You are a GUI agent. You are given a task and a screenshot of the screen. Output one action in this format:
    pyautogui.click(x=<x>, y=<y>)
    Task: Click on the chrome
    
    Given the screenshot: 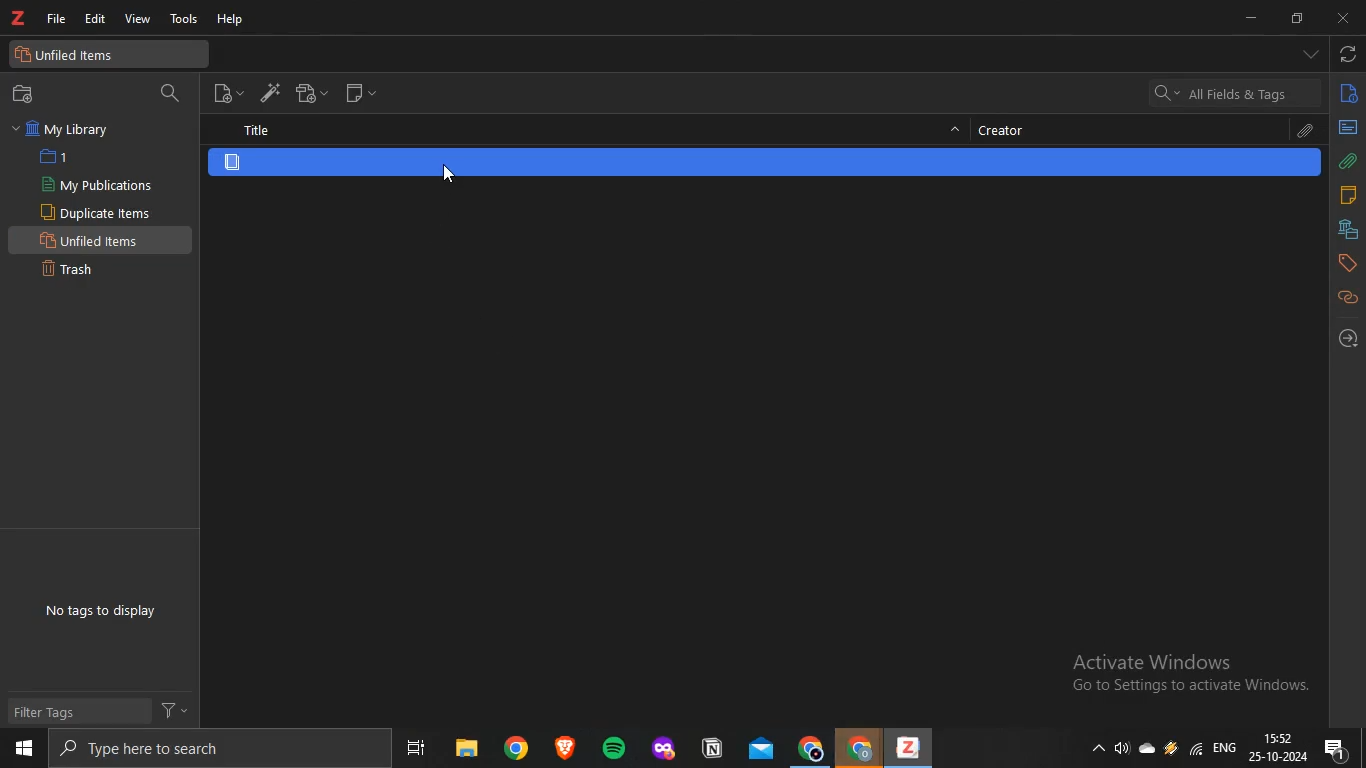 What is the action you would take?
    pyautogui.click(x=516, y=747)
    